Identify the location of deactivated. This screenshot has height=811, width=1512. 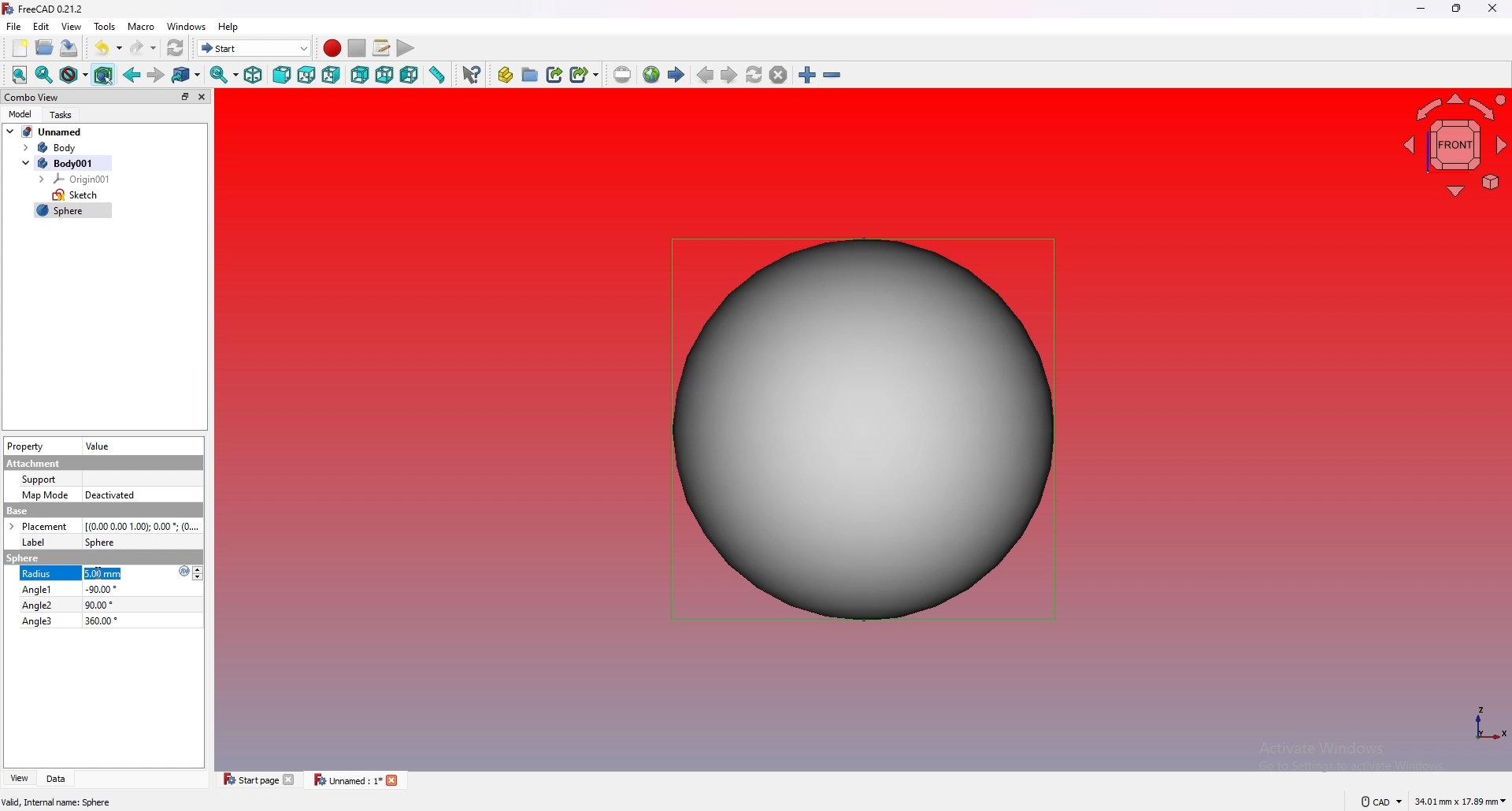
(111, 495).